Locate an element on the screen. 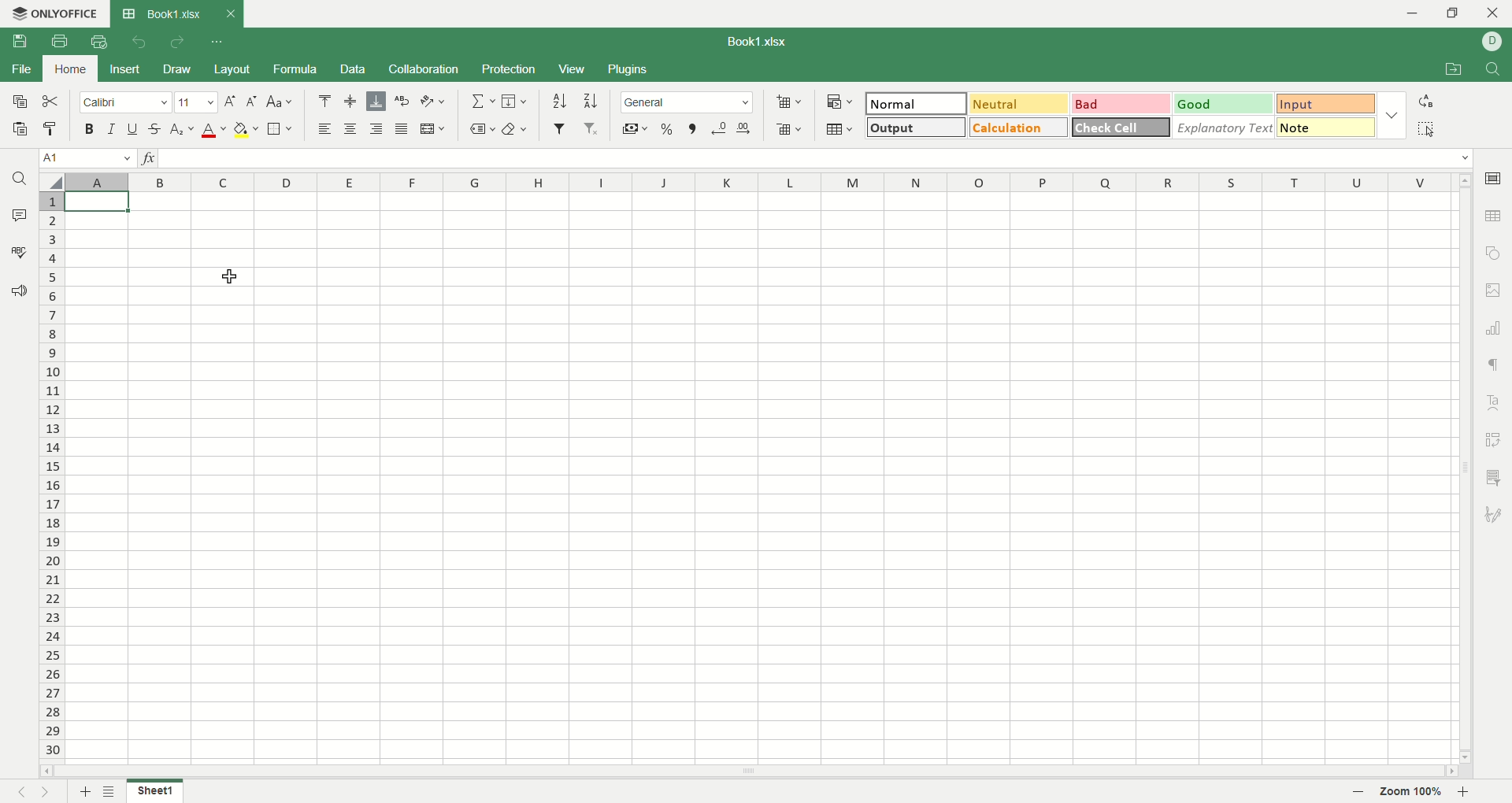  note is located at coordinates (1326, 127).